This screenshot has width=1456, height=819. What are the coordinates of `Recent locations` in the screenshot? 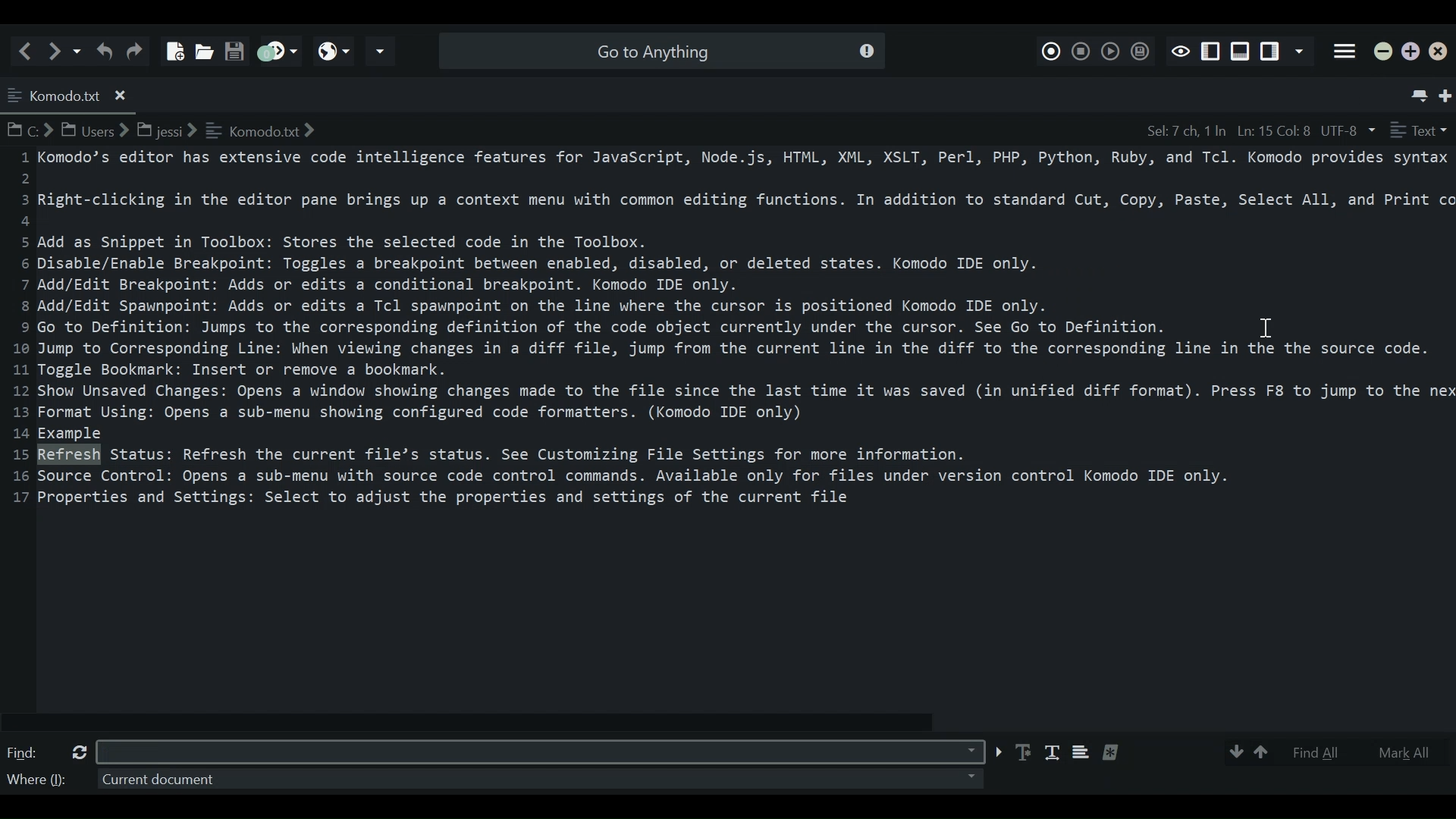 It's located at (78, 50).